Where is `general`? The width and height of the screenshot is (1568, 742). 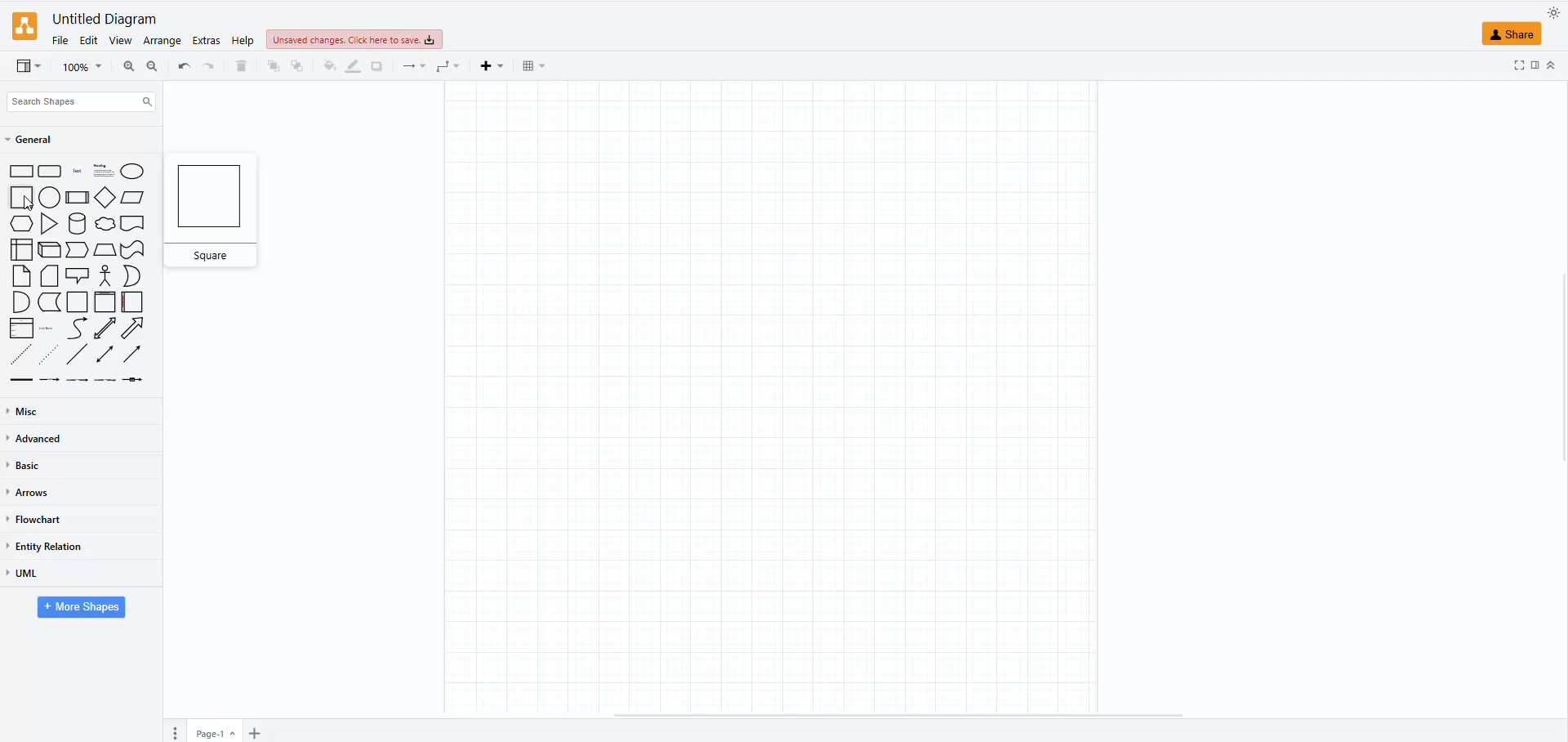
general is located at coordinates (44, 141).